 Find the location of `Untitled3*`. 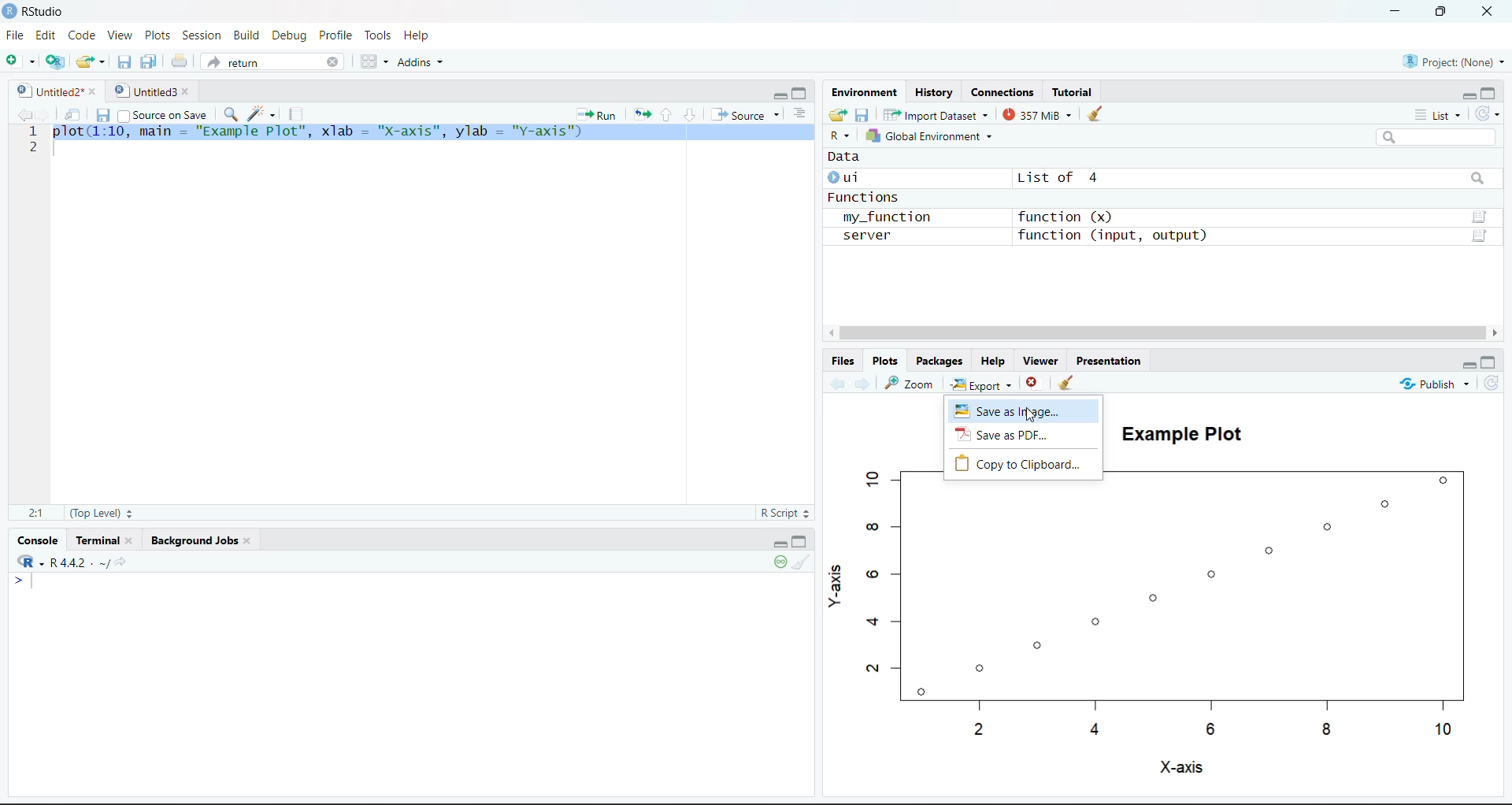

Untitled3* is located at coordinates (151, 88).